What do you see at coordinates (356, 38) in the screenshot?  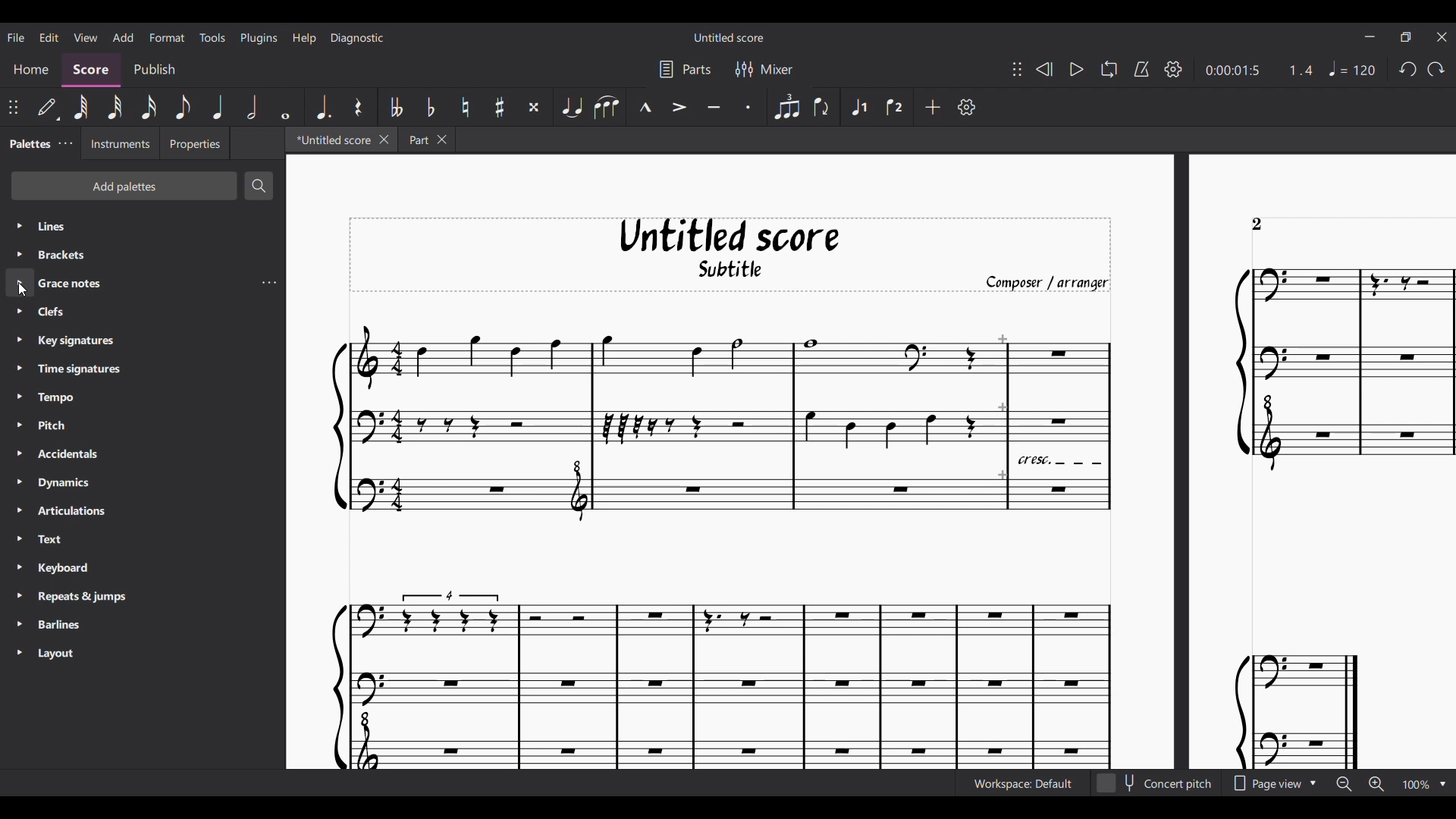 I see `Diagnostic menu` at bounding box center [356, 38].